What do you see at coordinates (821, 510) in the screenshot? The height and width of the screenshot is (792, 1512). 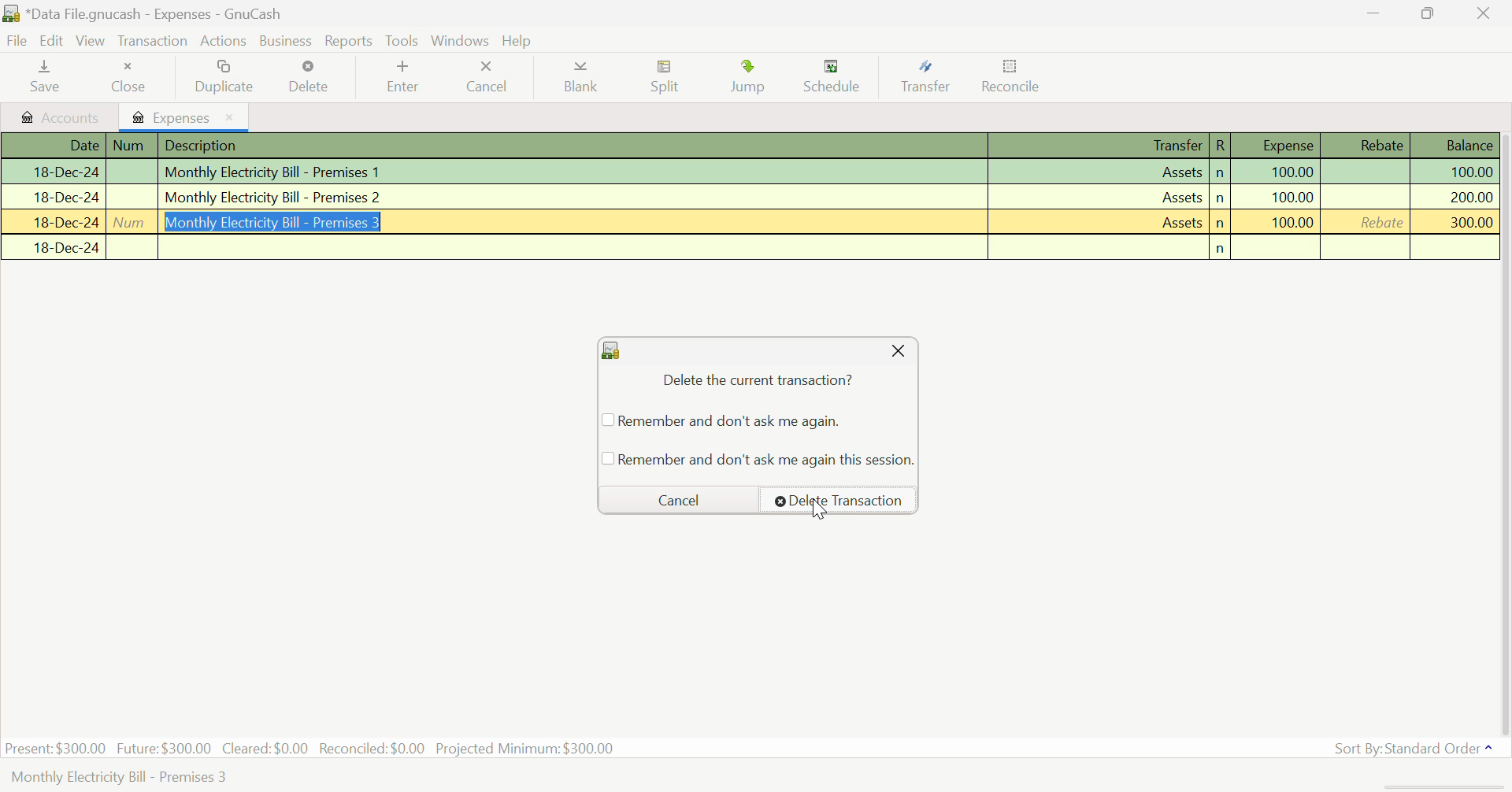 I see `Cursor Position` at bounding box center [821, 510].